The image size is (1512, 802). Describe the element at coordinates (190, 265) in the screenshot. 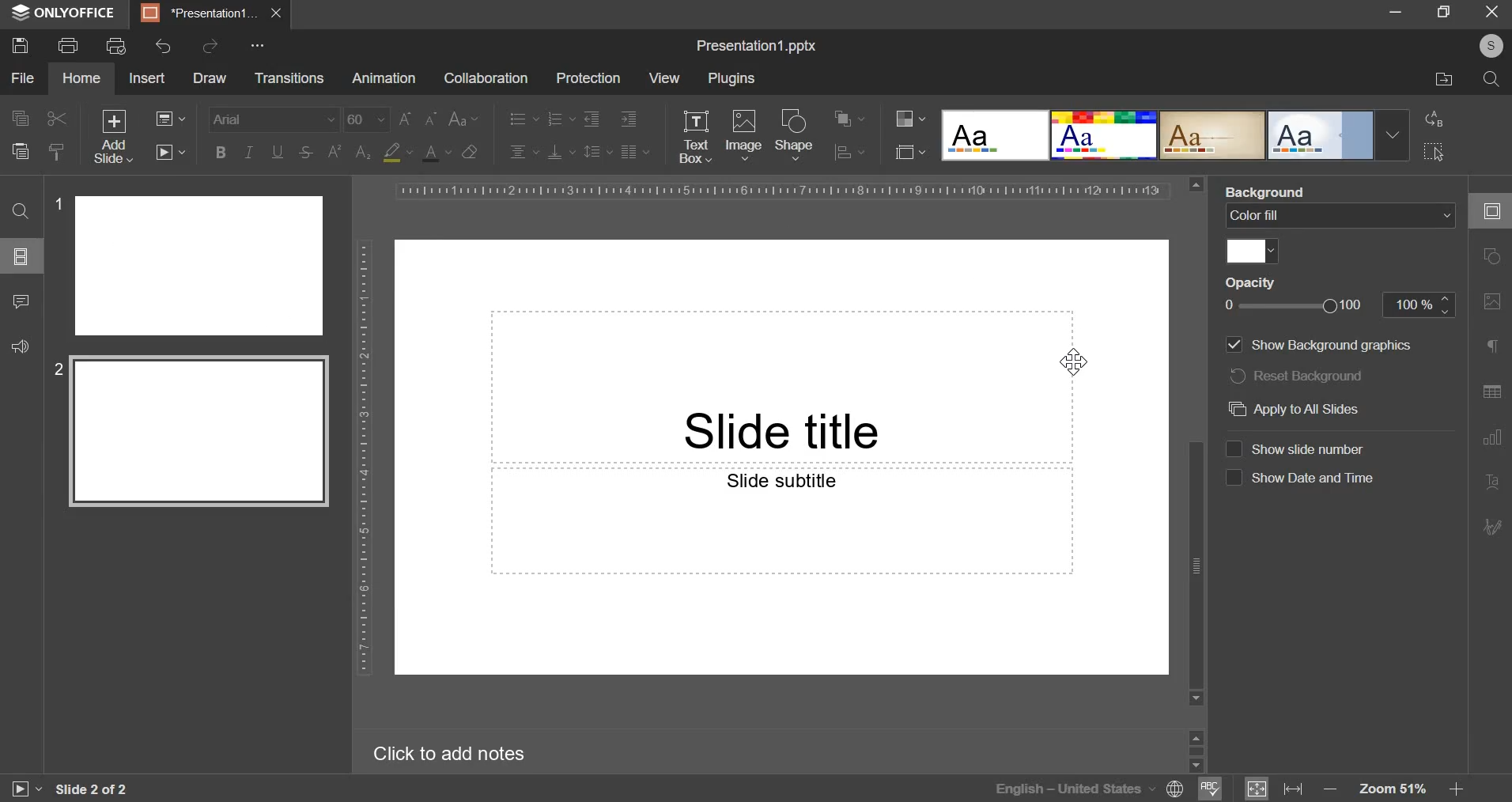

I see `slide 1` at that location.